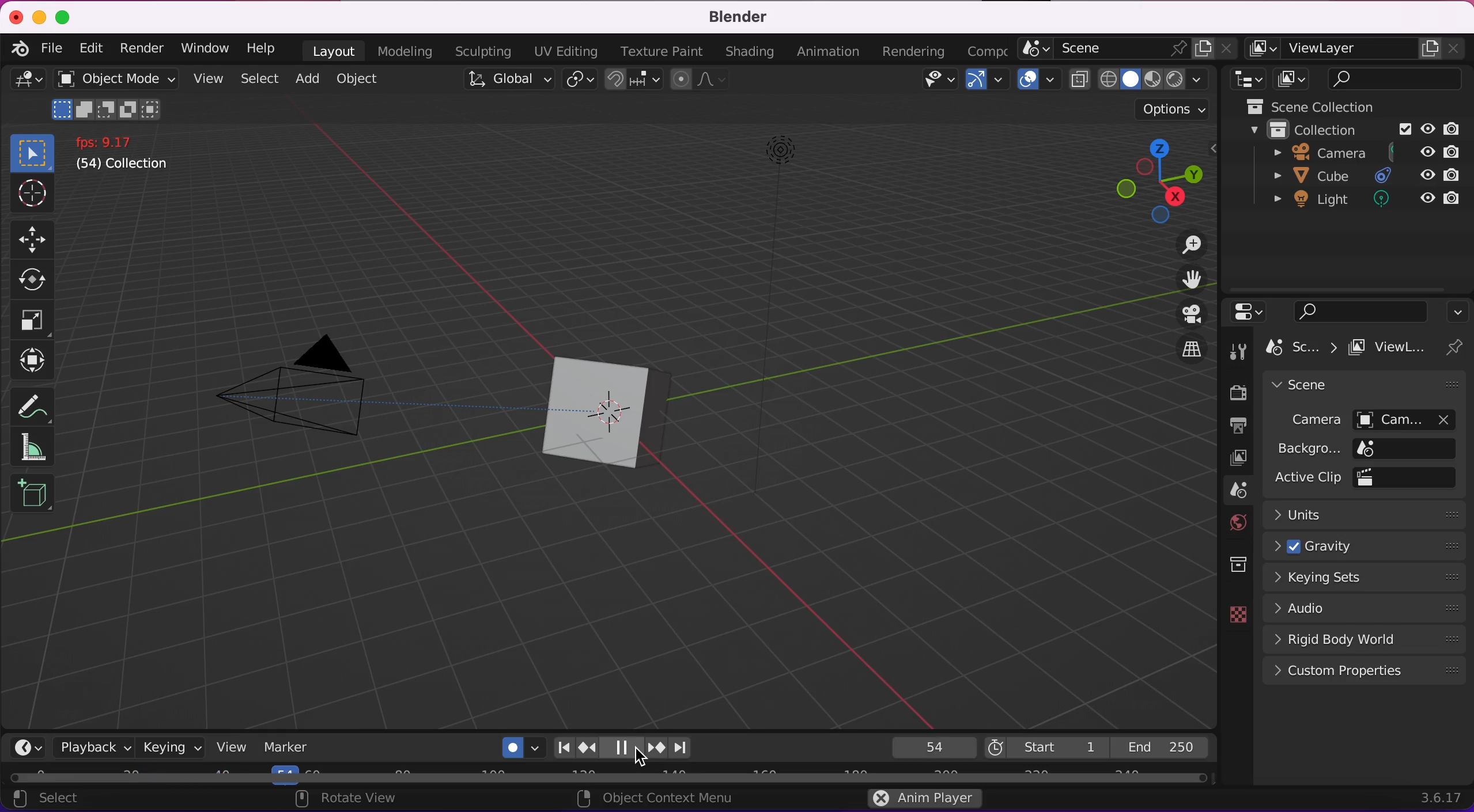 The height and width of the screenshot is (812, 1474). What do you see at coordinates (1292, 79) in the screenshot?
I see `display mode` at bounding box center [1292, 79].